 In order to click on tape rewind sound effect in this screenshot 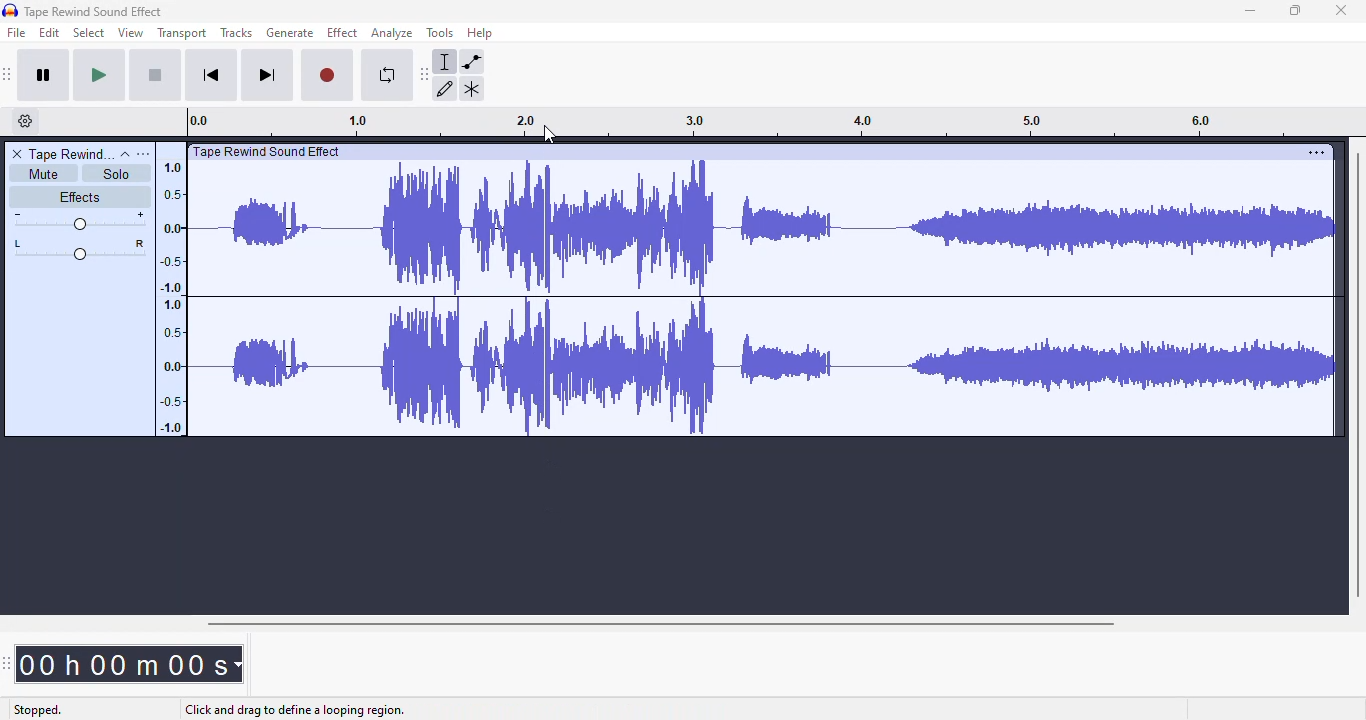, I will do `click(70, 153)`.